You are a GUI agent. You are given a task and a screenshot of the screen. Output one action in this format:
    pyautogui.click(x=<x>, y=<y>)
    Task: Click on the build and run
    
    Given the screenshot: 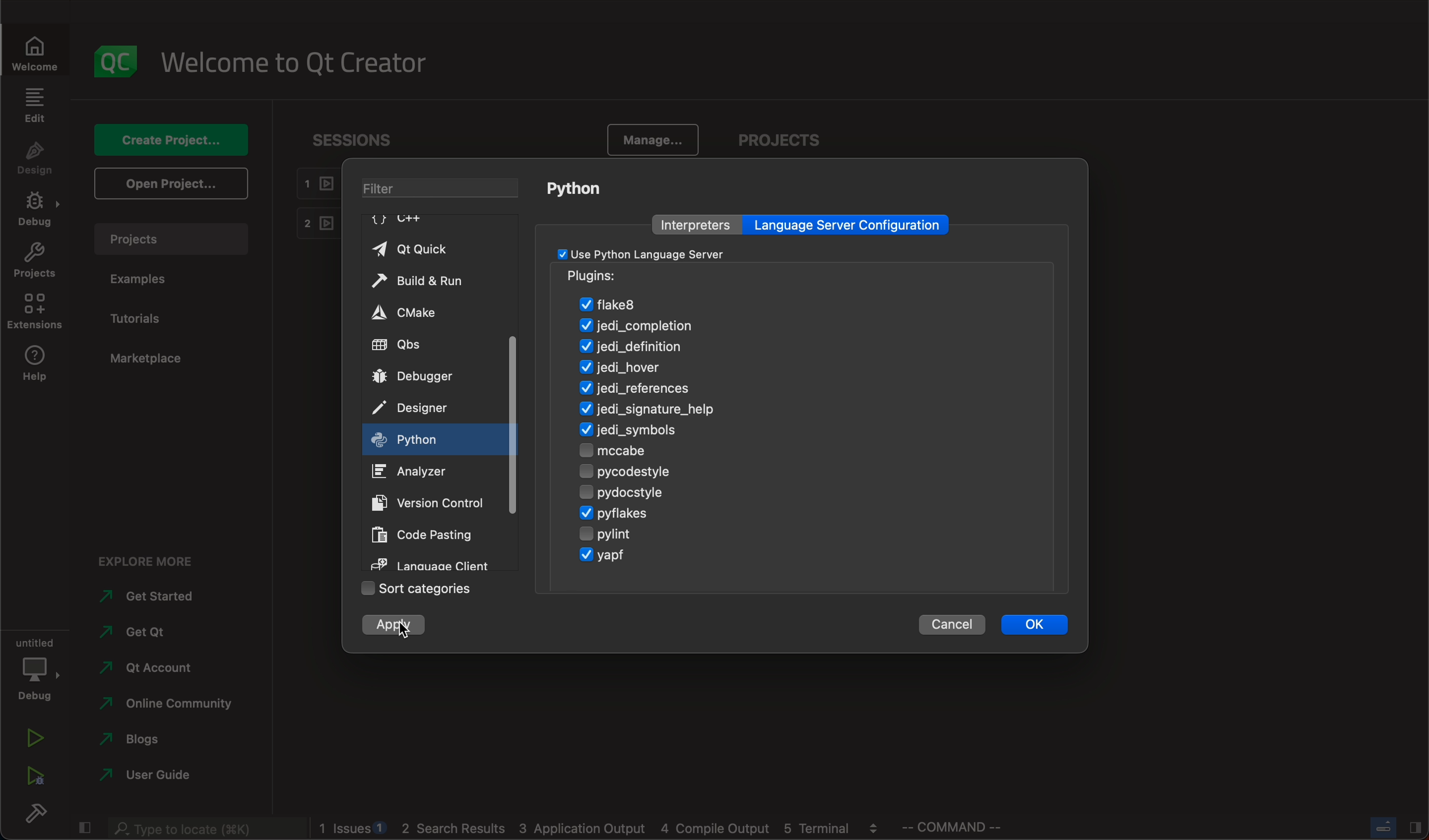 What is the action you would take?
    pyautogui.click(x=425, y=278)
    